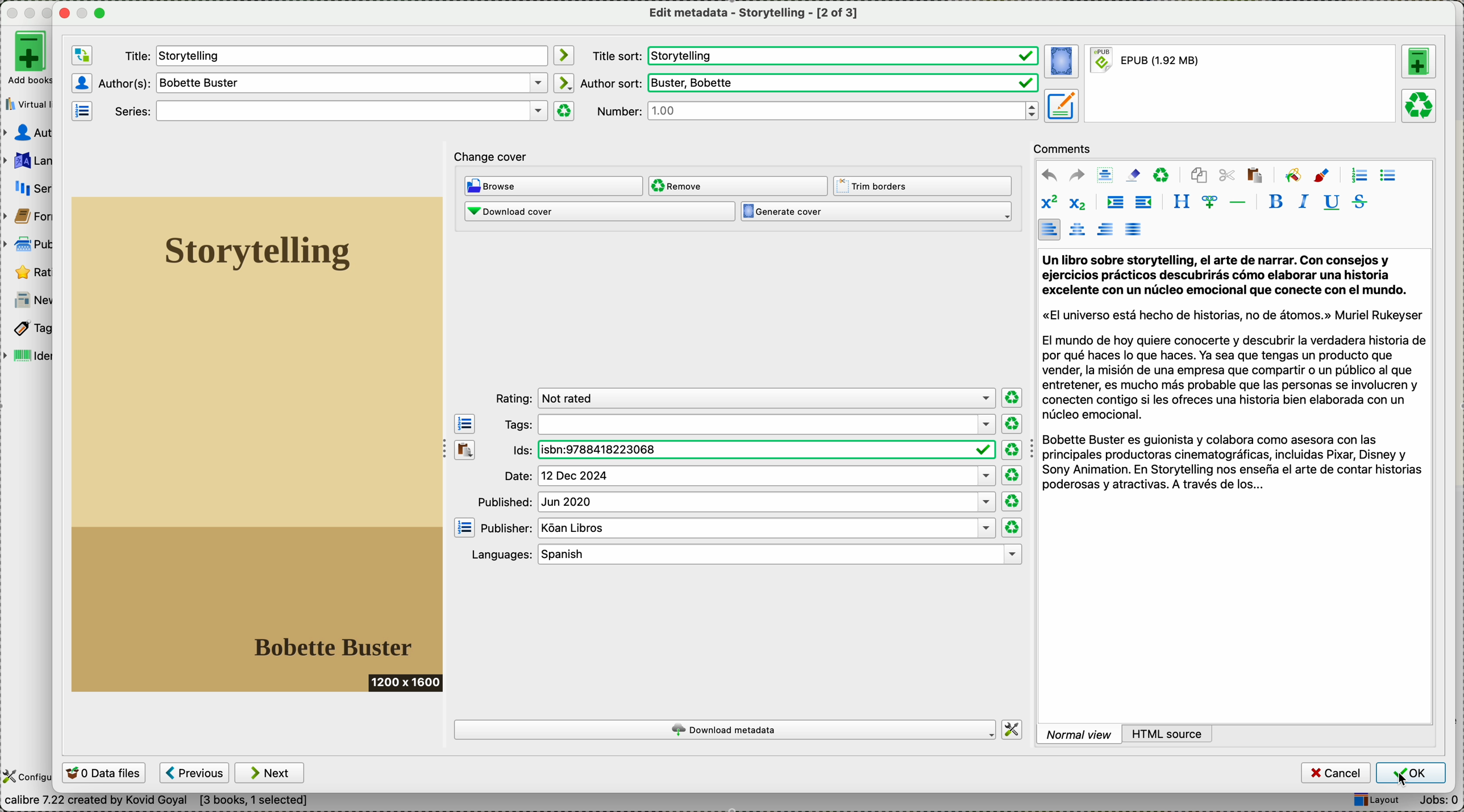 The width and height of the screenshot is (1464, 812). Describe the element at coordinates (81, 113) in the screenshot. I see `icon` at that location.